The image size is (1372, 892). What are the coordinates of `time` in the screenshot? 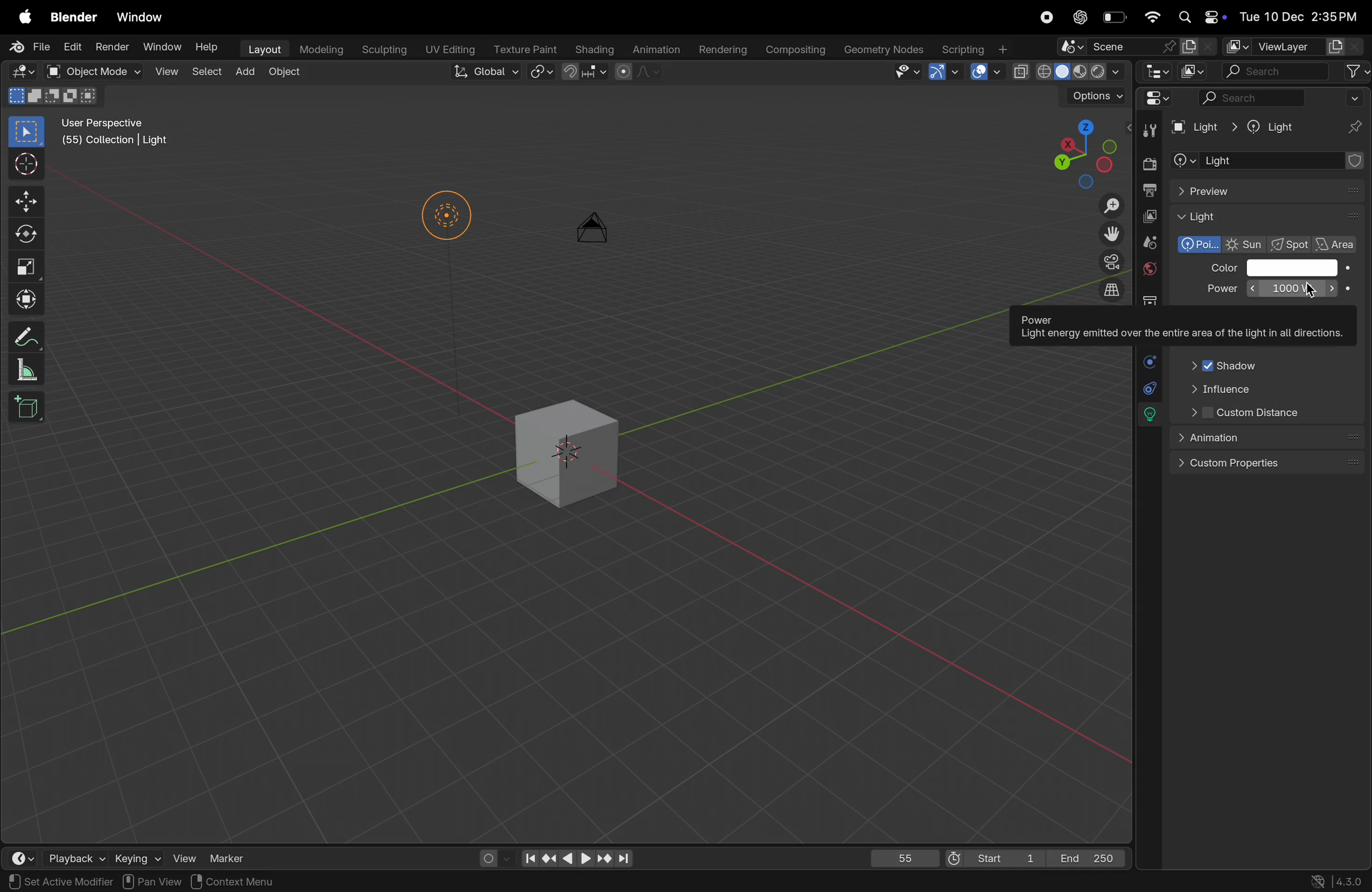 It's located at (28, 857).